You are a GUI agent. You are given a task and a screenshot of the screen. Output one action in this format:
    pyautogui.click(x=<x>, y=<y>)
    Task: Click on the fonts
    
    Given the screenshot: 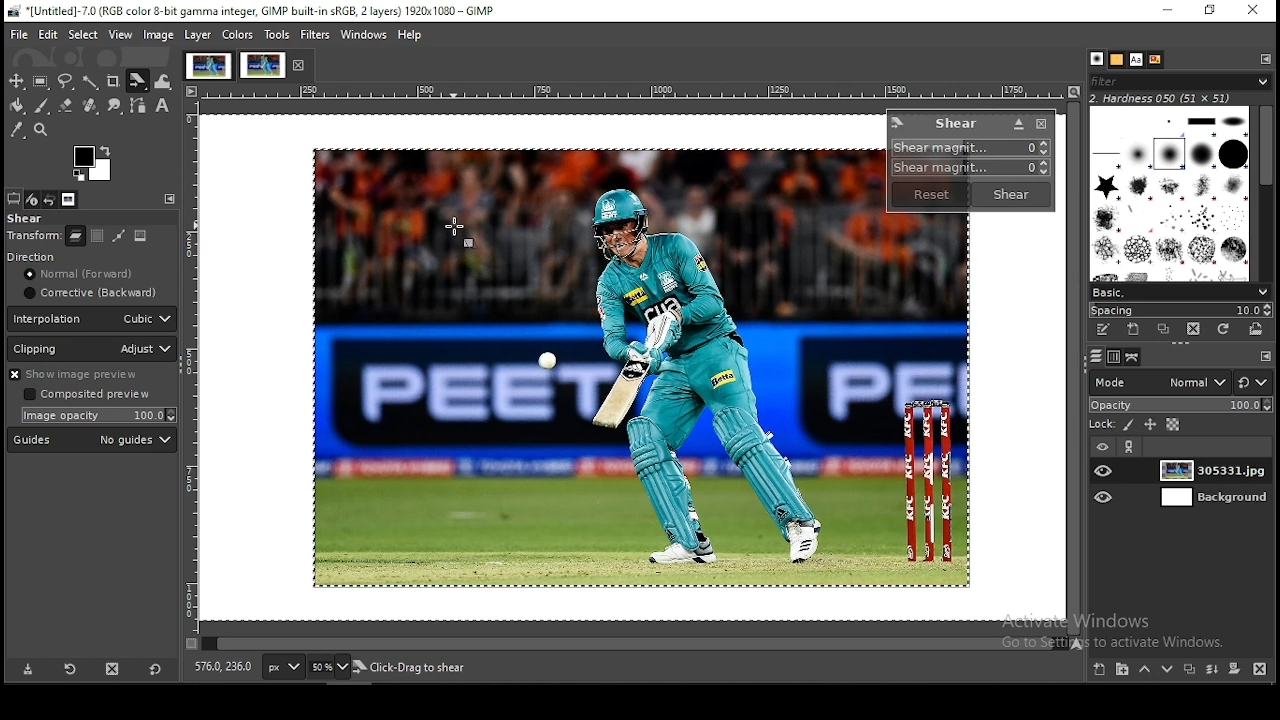 What is the action you would take?
    pyautogui.click(x=1136, y=60)
    